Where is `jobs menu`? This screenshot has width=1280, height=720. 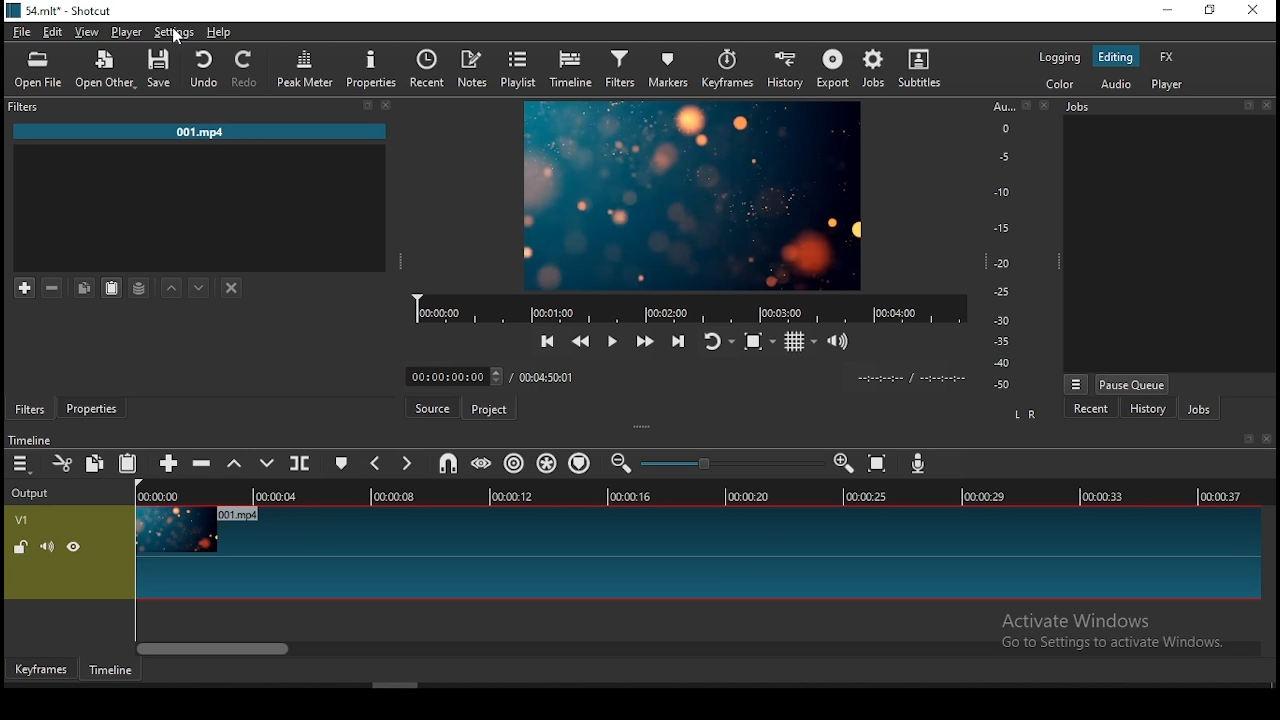
jobs menu is located at coordinates (1077, 386).